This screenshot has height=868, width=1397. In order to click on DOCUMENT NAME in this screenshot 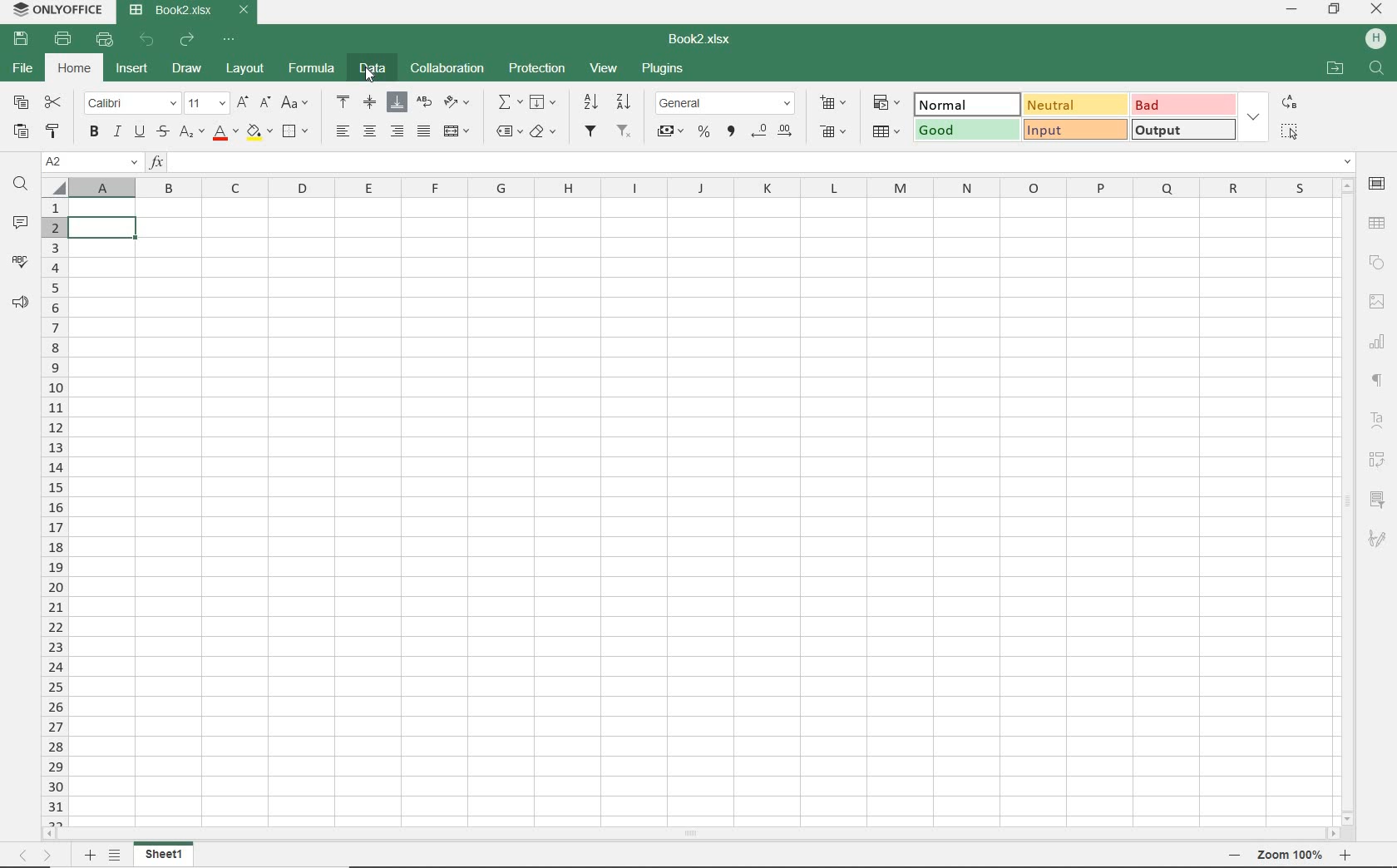, I will do `click(700, 39)`.